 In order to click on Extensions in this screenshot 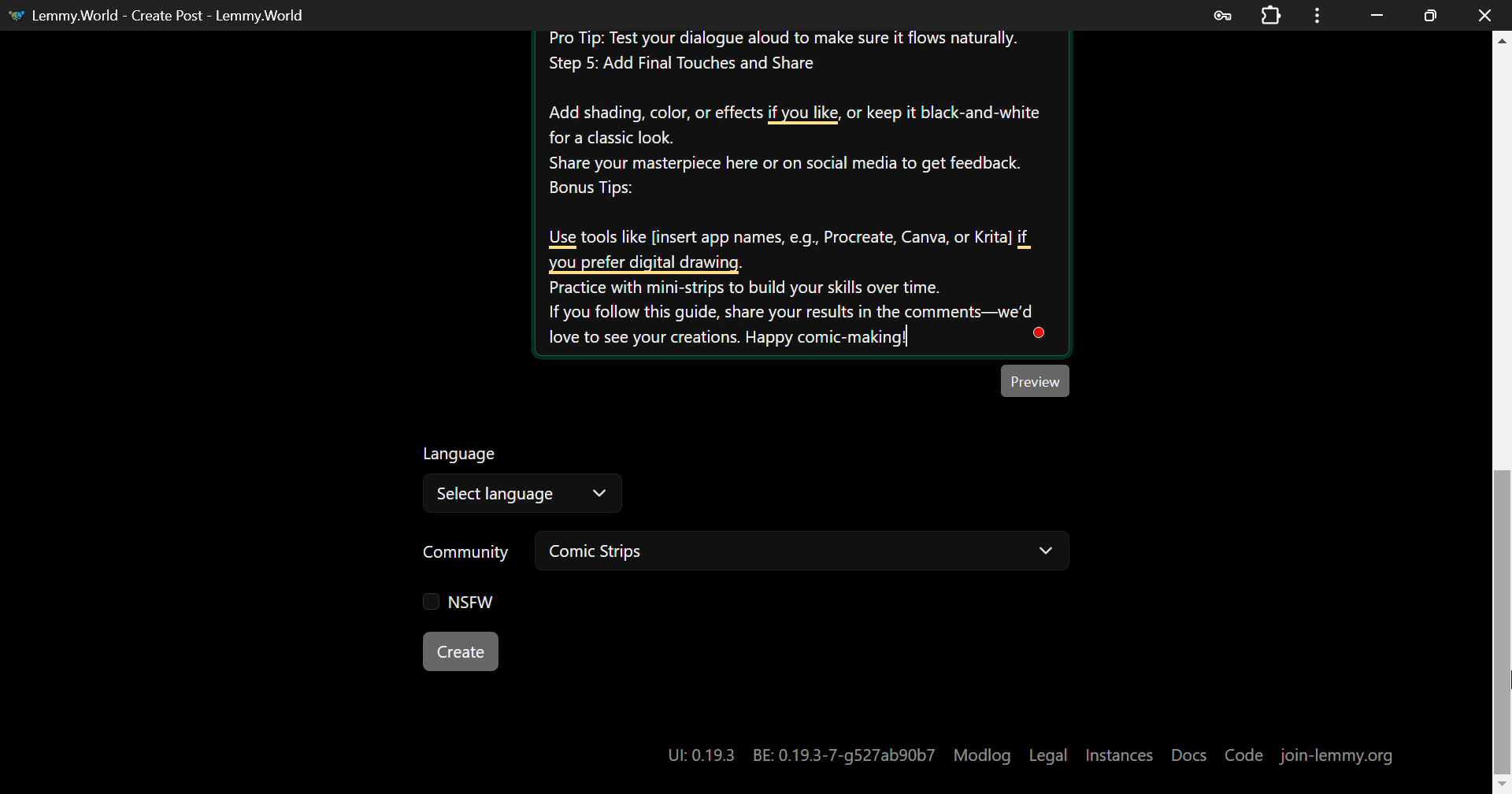, I will do `click(1274, 14)`.